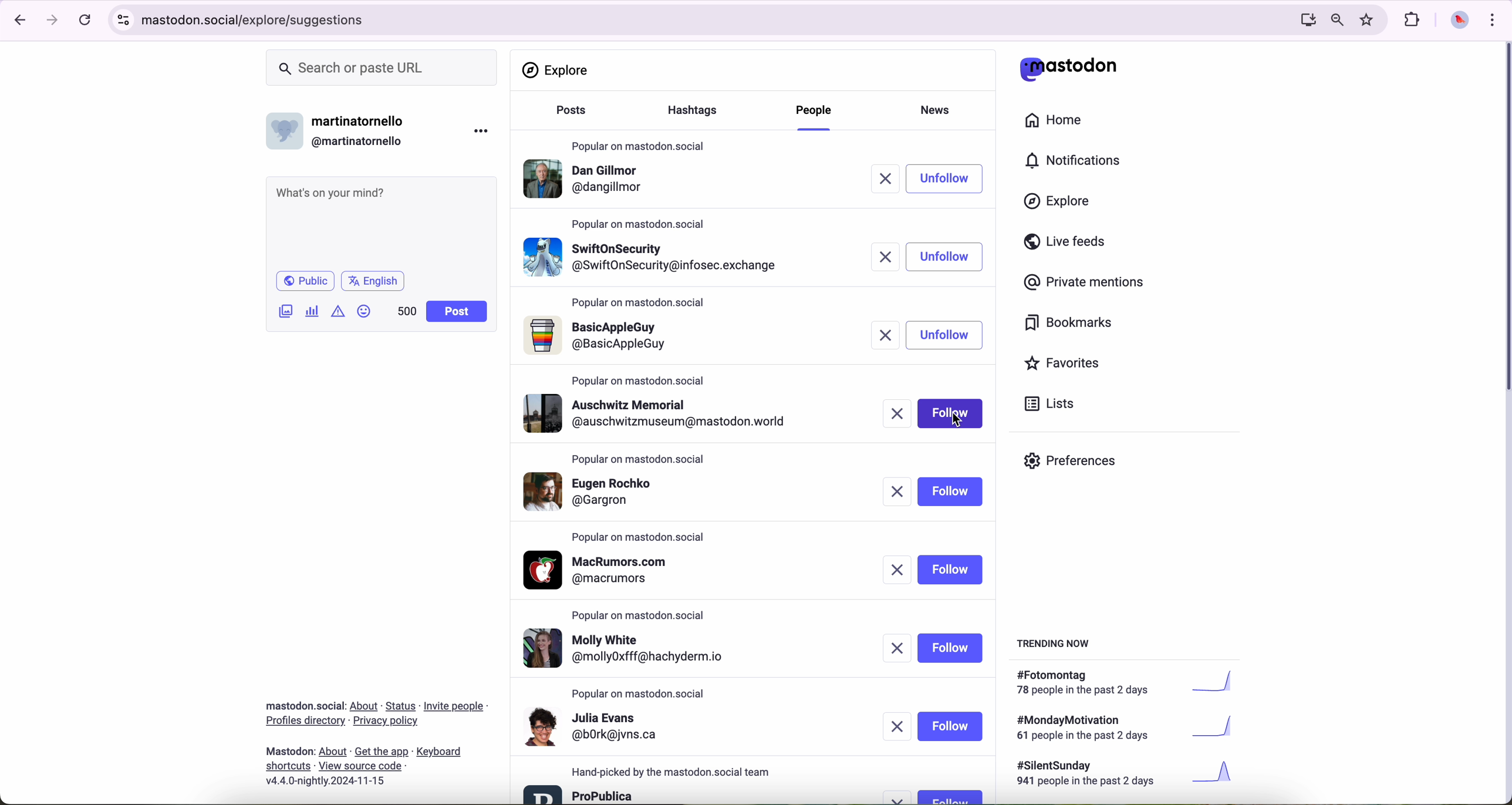 The image size is (1512, 805). What do you see at coordinates (893, 179) in the screenshot?
I see `remove` at bounding box center [893, 179].